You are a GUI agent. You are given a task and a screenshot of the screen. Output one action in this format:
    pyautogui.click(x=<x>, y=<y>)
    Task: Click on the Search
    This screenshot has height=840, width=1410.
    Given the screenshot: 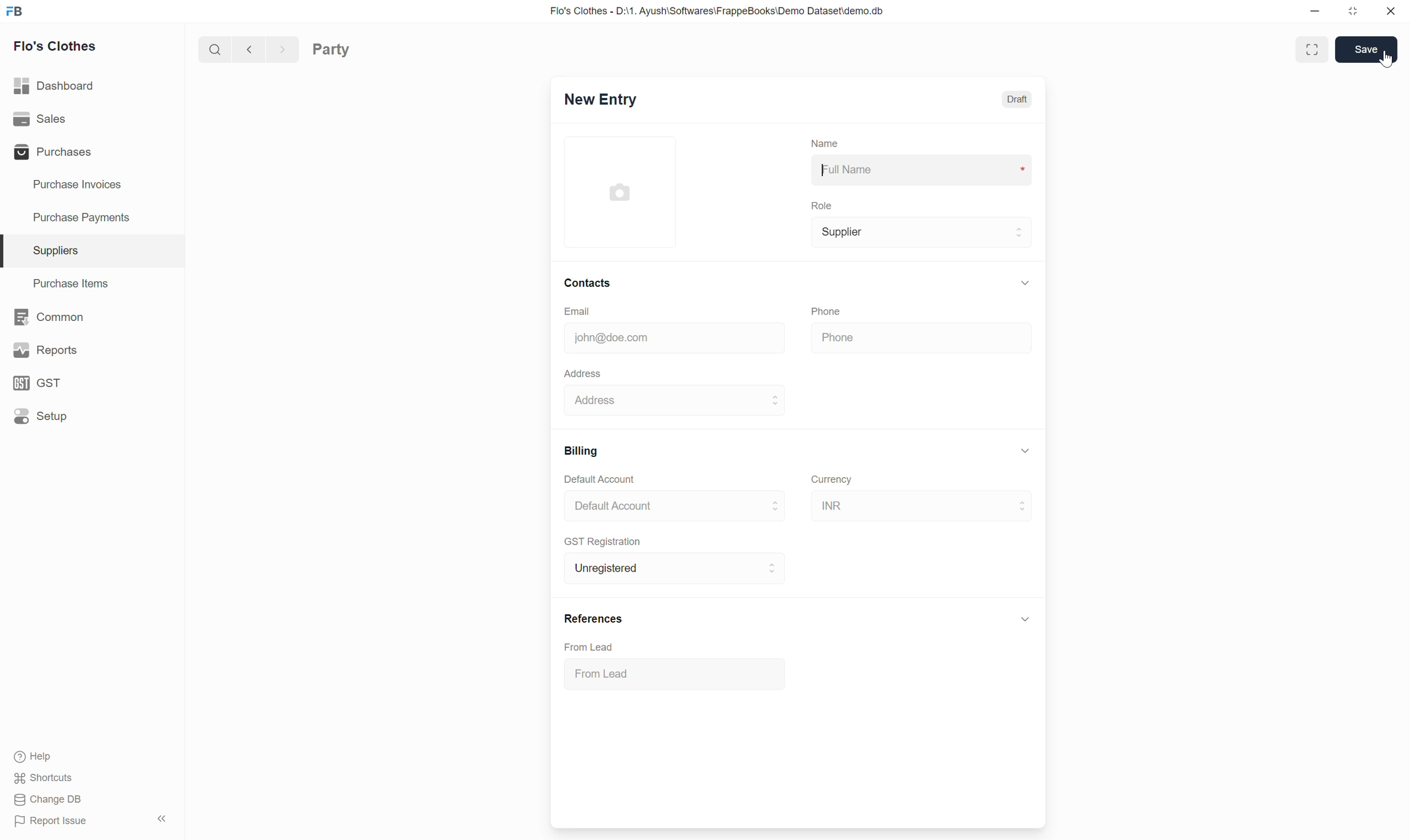 What is the action you would take?
    pyautogui.click(x=215, y=49)
    